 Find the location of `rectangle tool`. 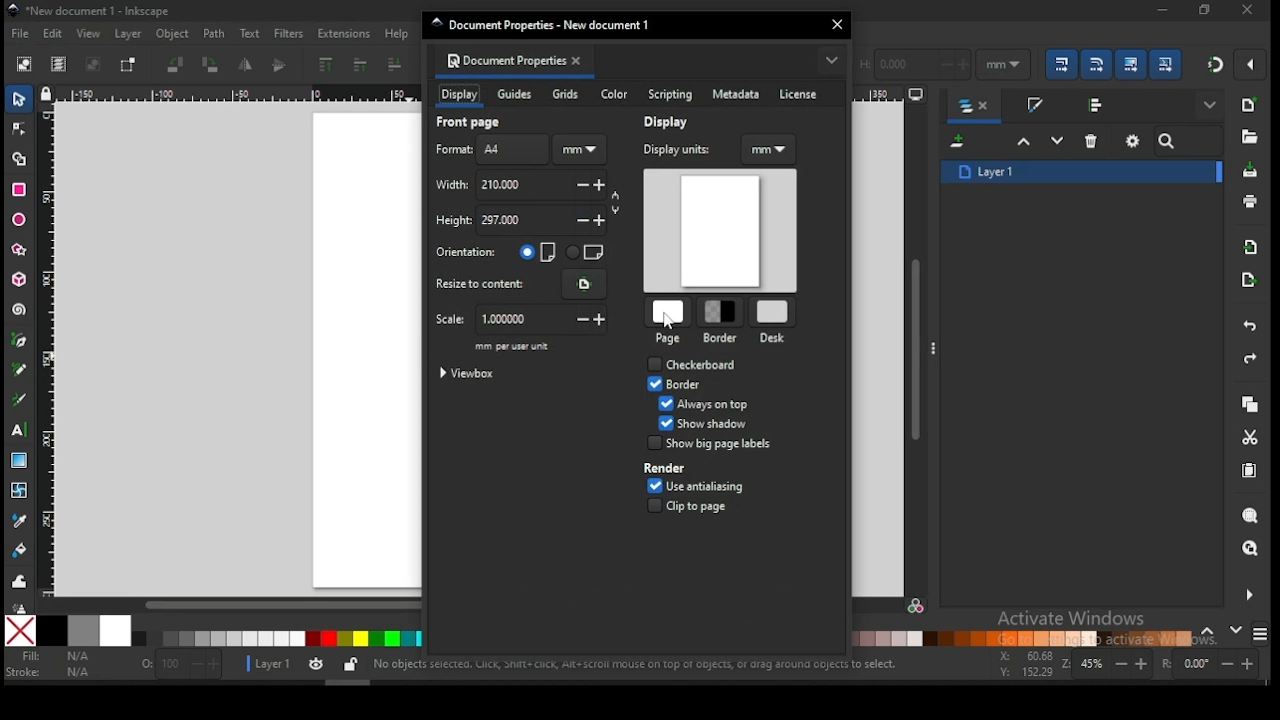

rectangle tool is located at coordinates (19, 190).